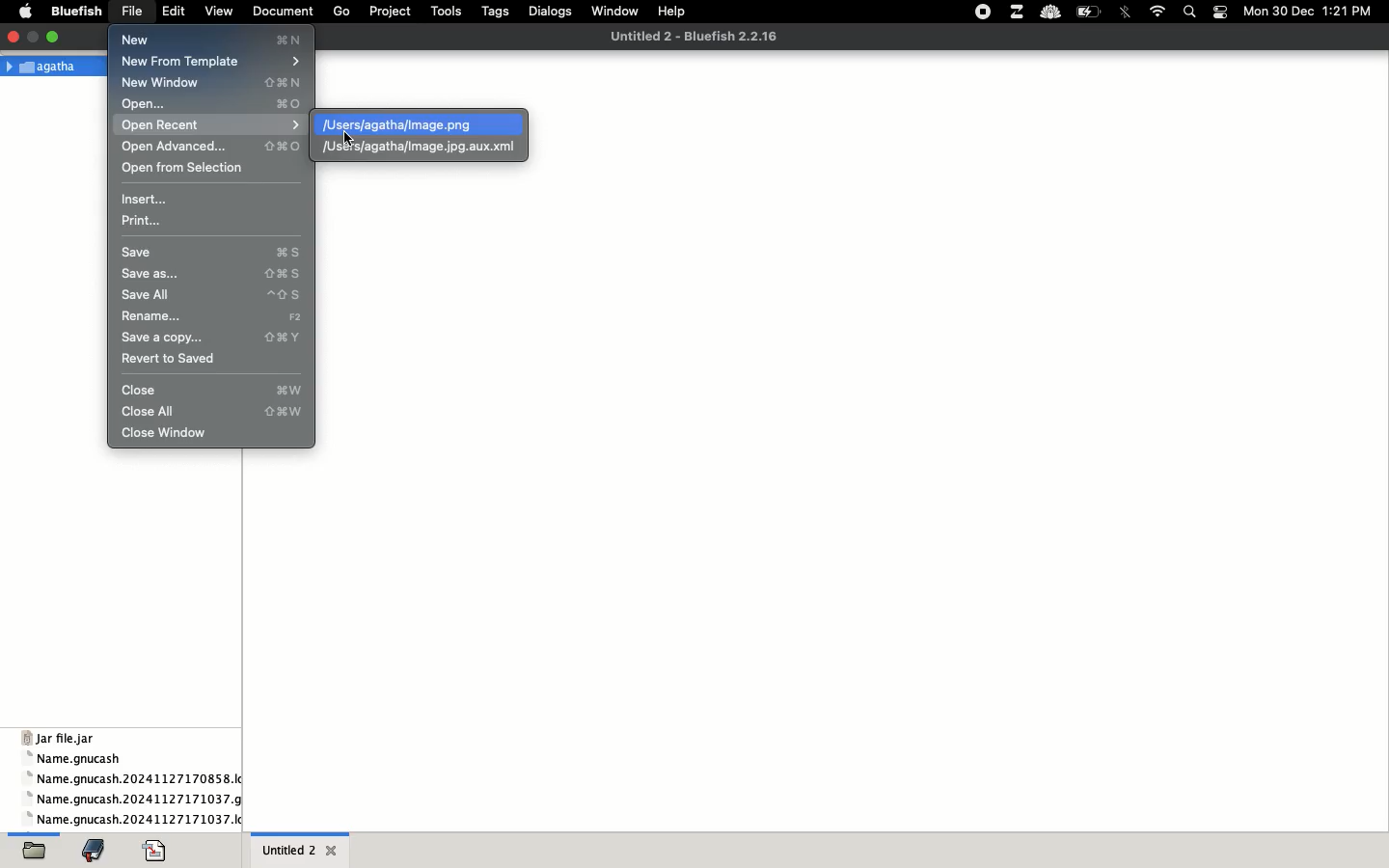 The width and height of the screenshot is (1389, 868). I want to click on extensions, so click(1019, 12).